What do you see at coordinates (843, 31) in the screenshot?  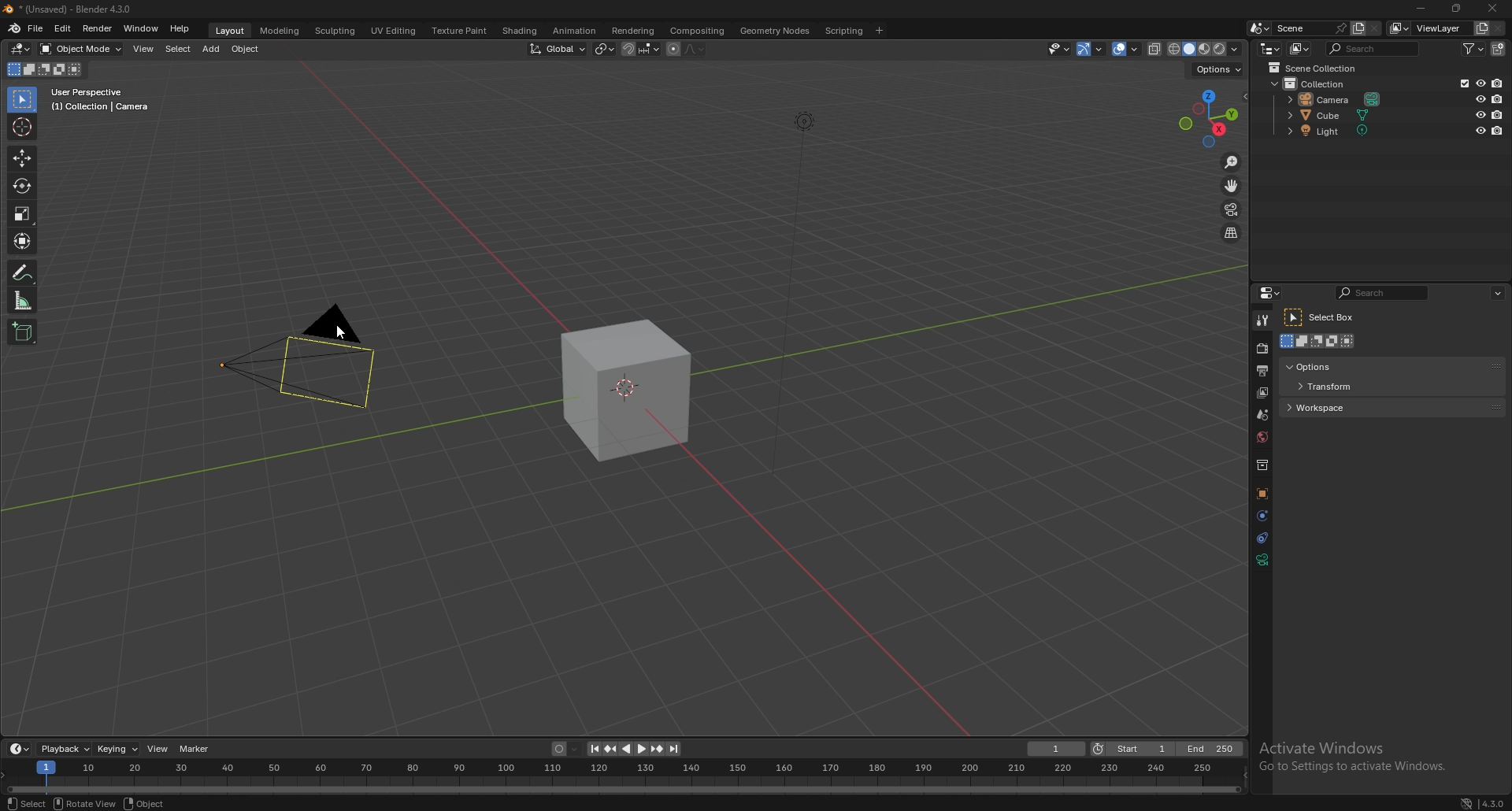 I see `scripting` at bounding box center [843, 31].